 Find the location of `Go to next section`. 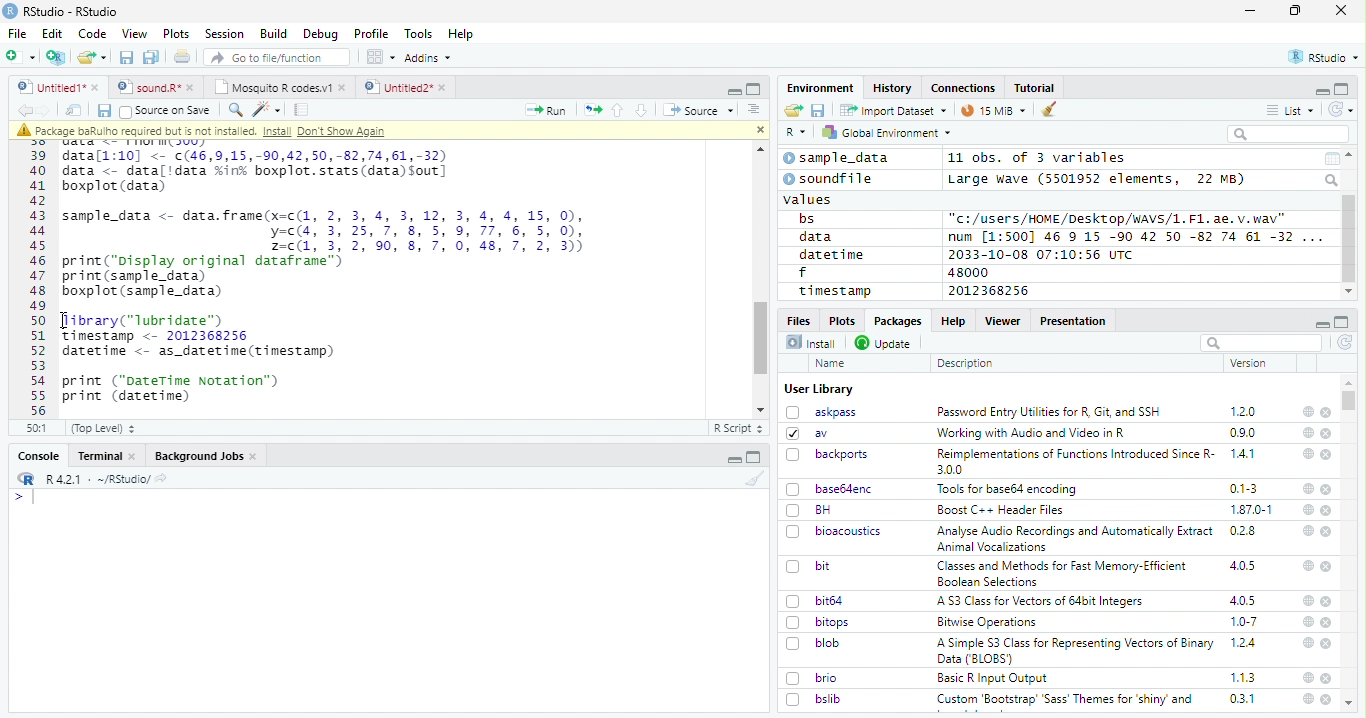

Go to next section is located at coordinates (644, 110).